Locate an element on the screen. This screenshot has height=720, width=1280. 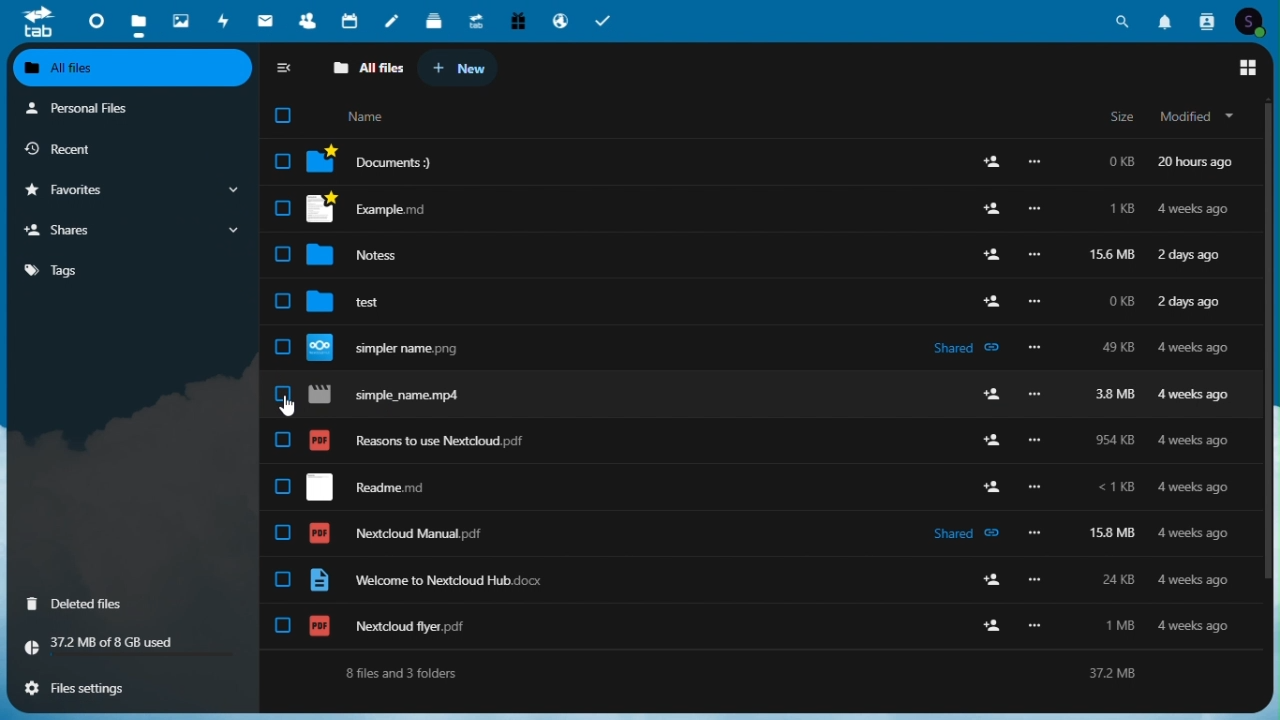
All files is located at coordinates (135, 68).